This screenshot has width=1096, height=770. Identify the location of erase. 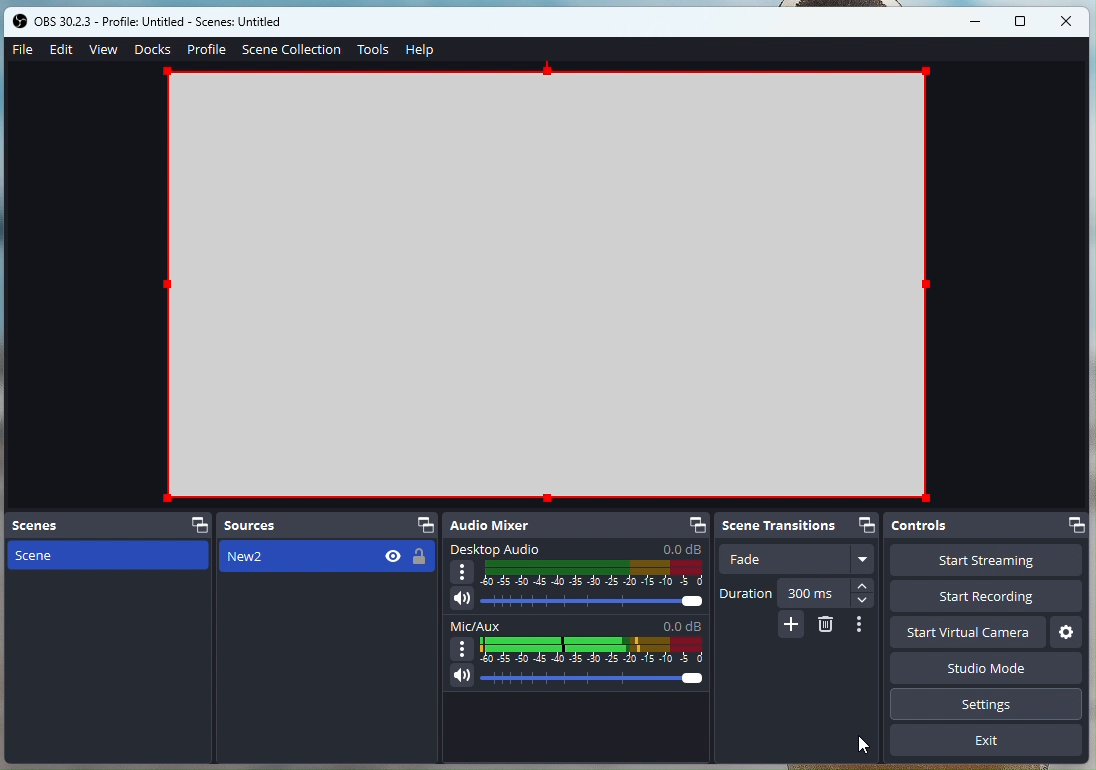
(827, 626).